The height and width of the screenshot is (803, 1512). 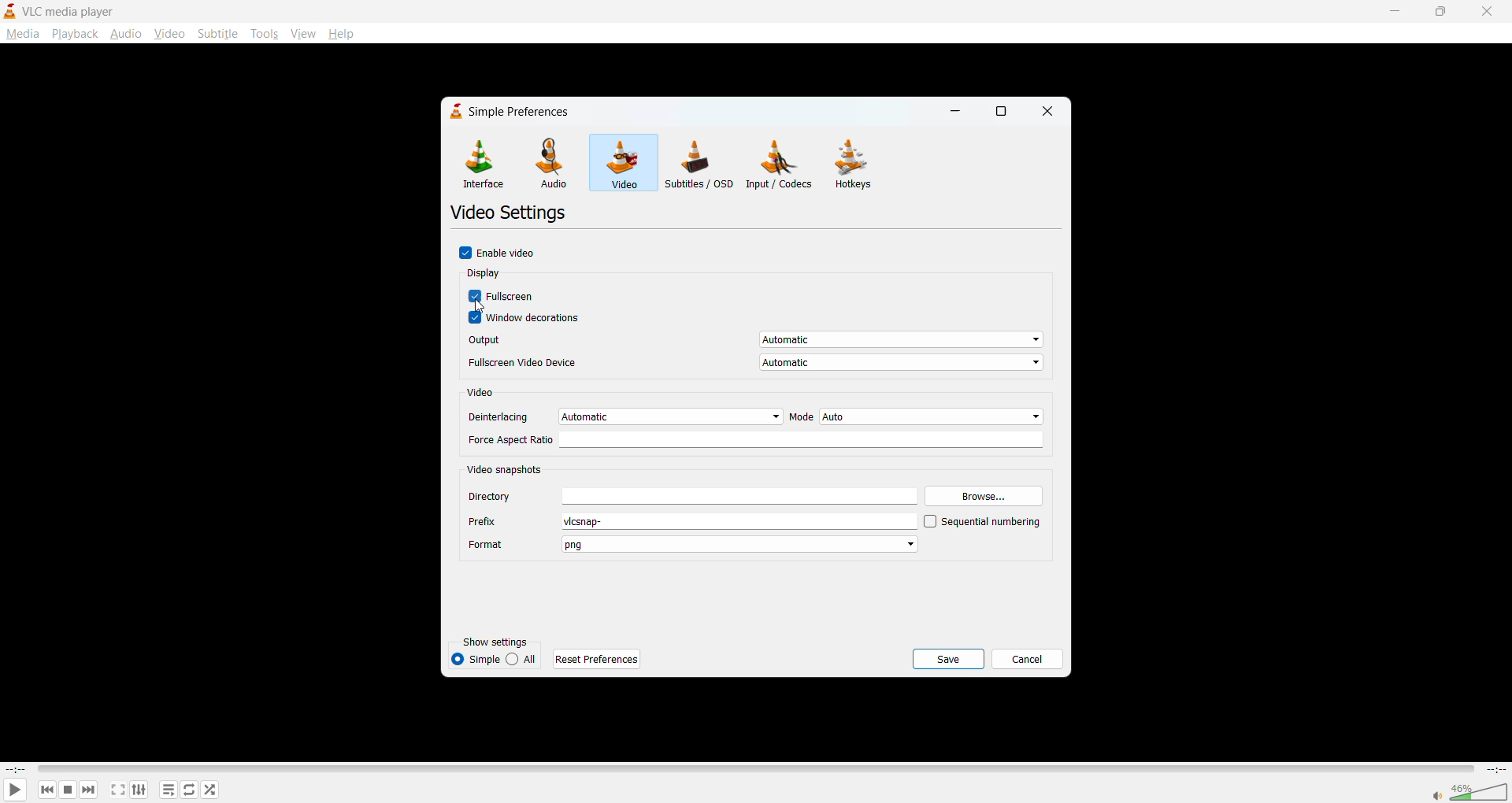 What do you see at coordinates (1469, 790) in the screenshot?
I see `volume` at bounding box center [1469, 790].